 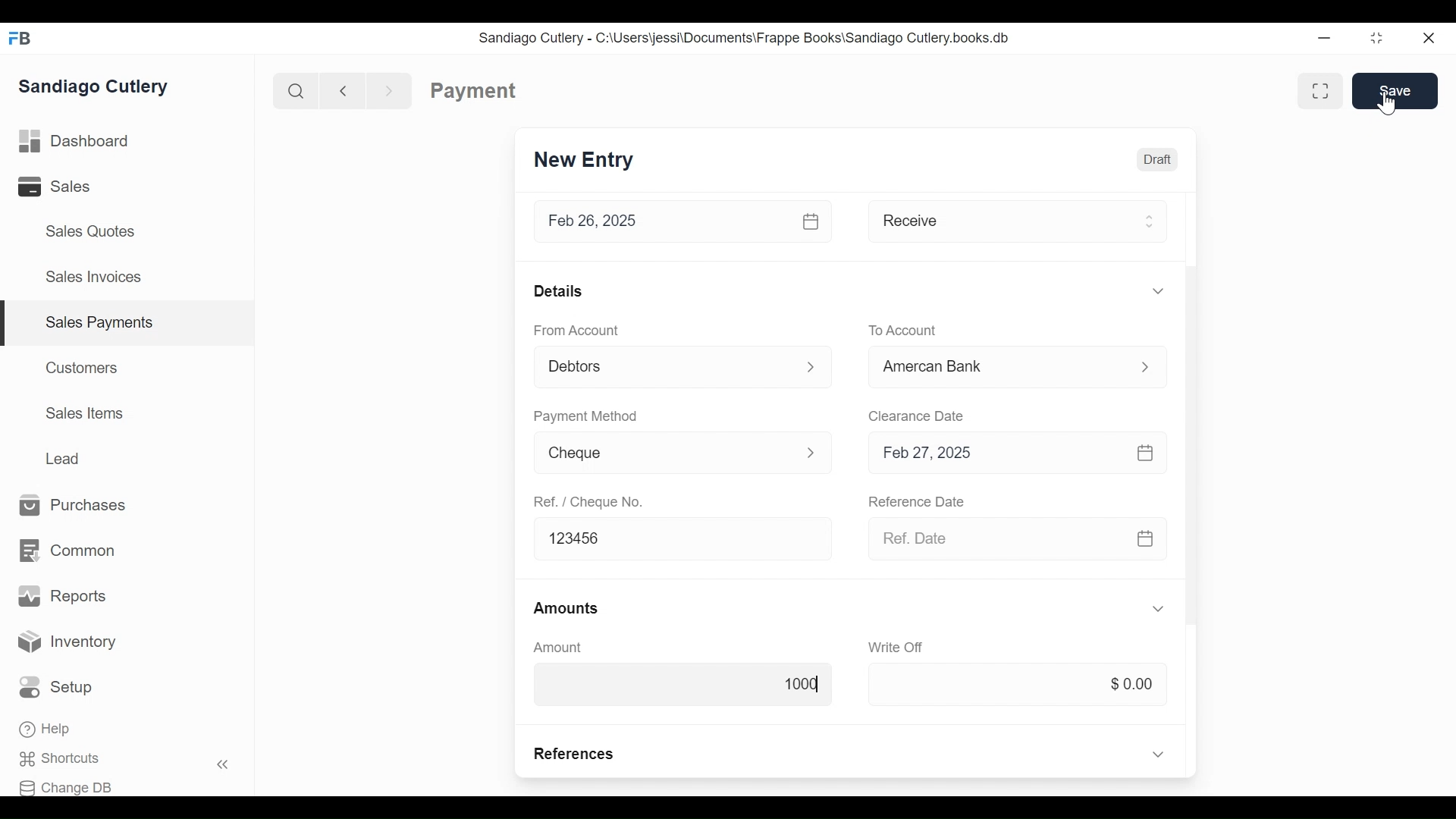 I want to click on Expand, so click(x=1144, y=366).